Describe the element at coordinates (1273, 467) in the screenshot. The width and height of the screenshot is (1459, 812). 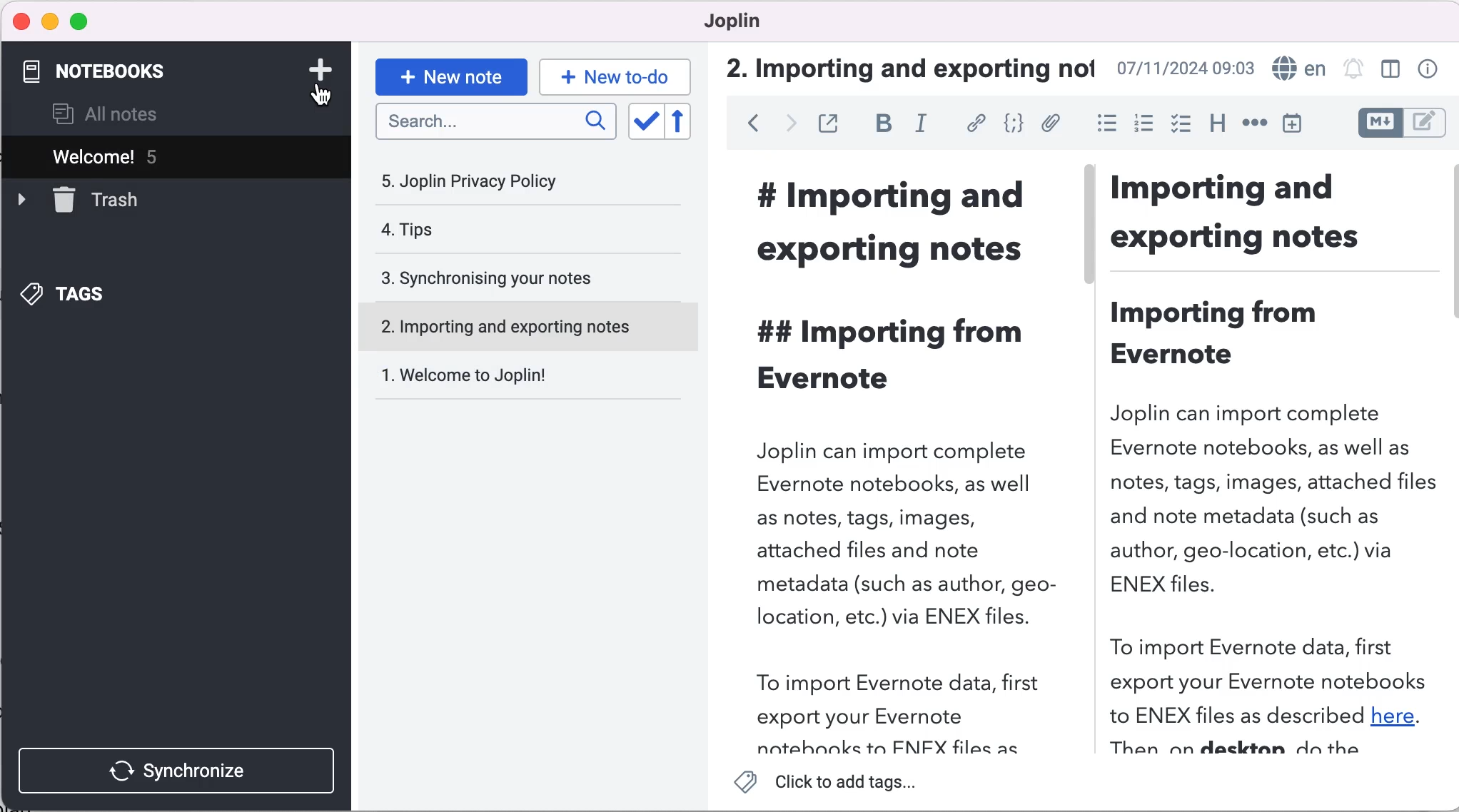
I see `Importing andexporting notesImporting fromEvernoteJoplin can import completeEvernote notebooks, as well asnotes, tags, images, attached filesand note metadata (such asauthor, geo-location, etc.) viaENEX files.To import Evernote data, firstexport your Evernote notebooksto ENEX files as described here.` at that location.